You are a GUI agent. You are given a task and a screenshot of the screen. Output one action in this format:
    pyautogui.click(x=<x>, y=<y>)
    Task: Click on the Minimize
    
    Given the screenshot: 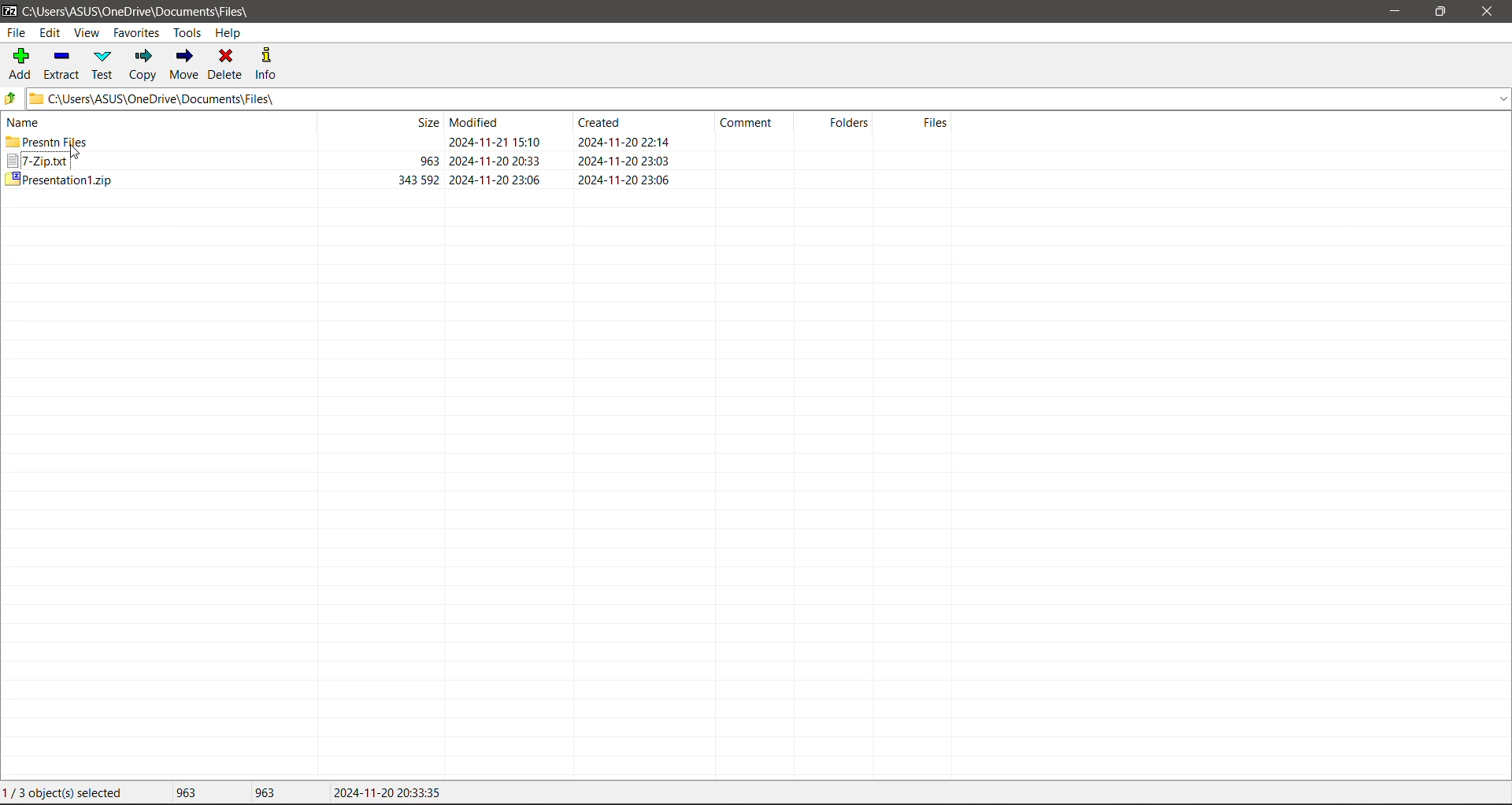 What is the action you would take?
    pyautogui.click(x=1393, y=11)
    